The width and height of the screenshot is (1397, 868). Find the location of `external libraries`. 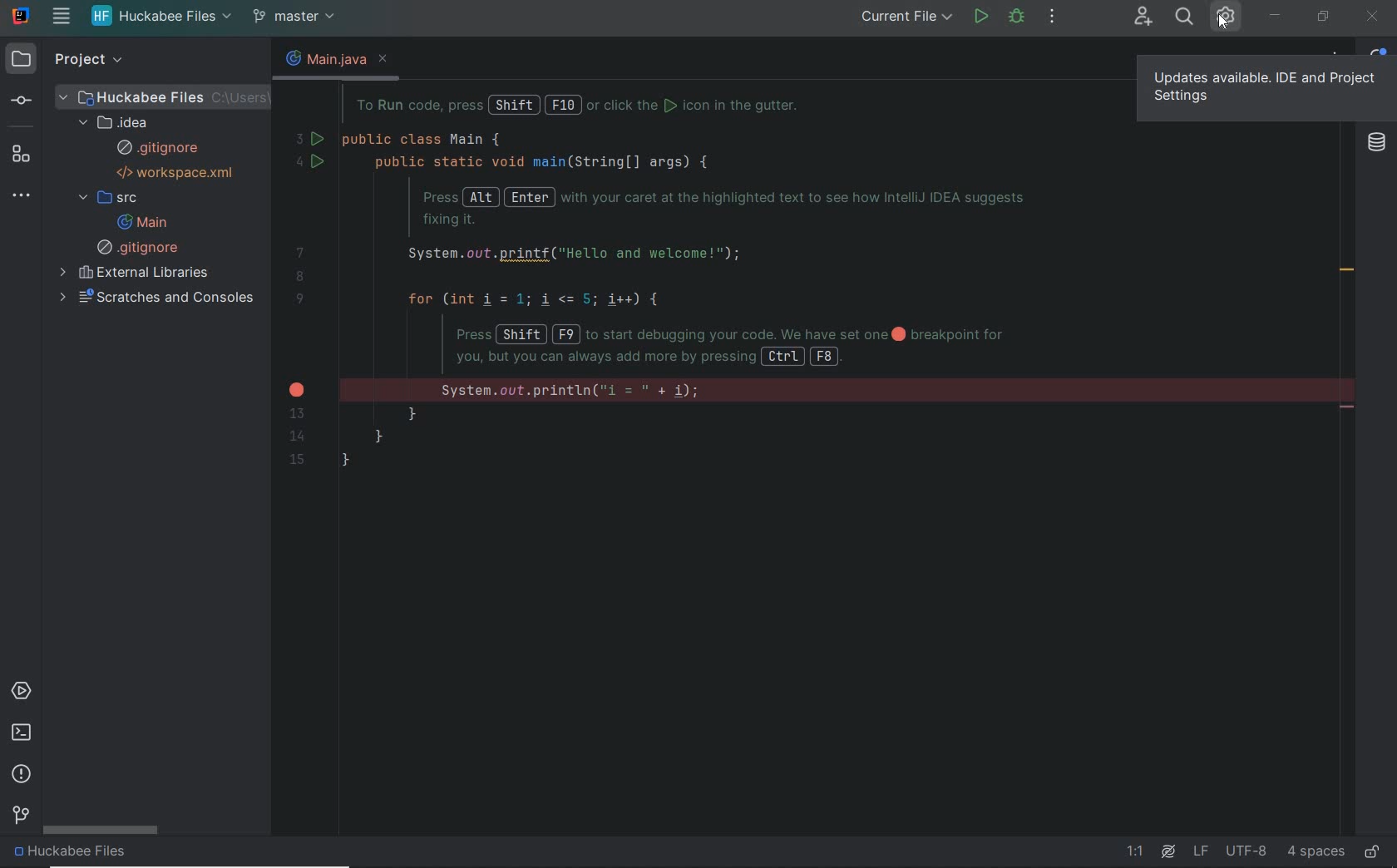

external libraries is located at coordinates (137, 274).